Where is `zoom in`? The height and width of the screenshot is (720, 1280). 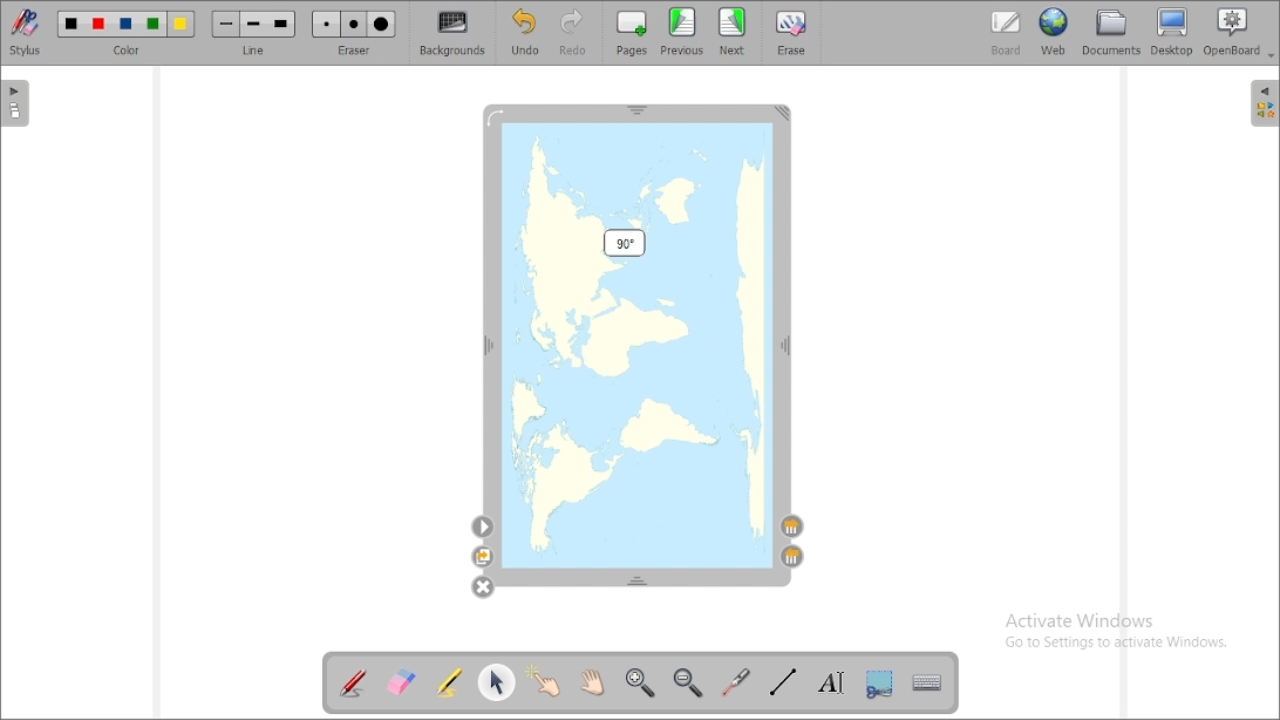
zoom in is located at coordinates (640, 681).